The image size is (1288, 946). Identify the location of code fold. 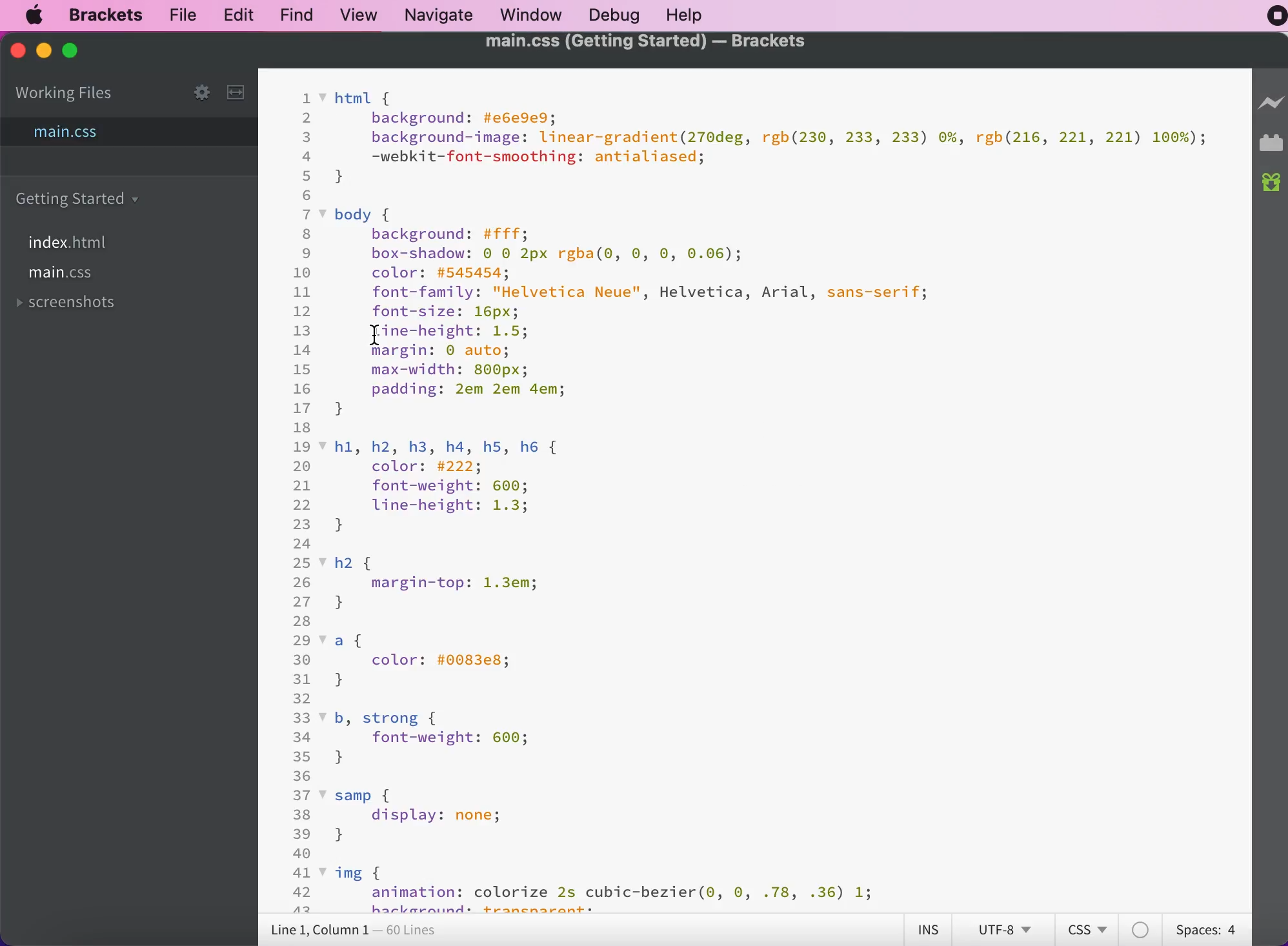
(323, 446).